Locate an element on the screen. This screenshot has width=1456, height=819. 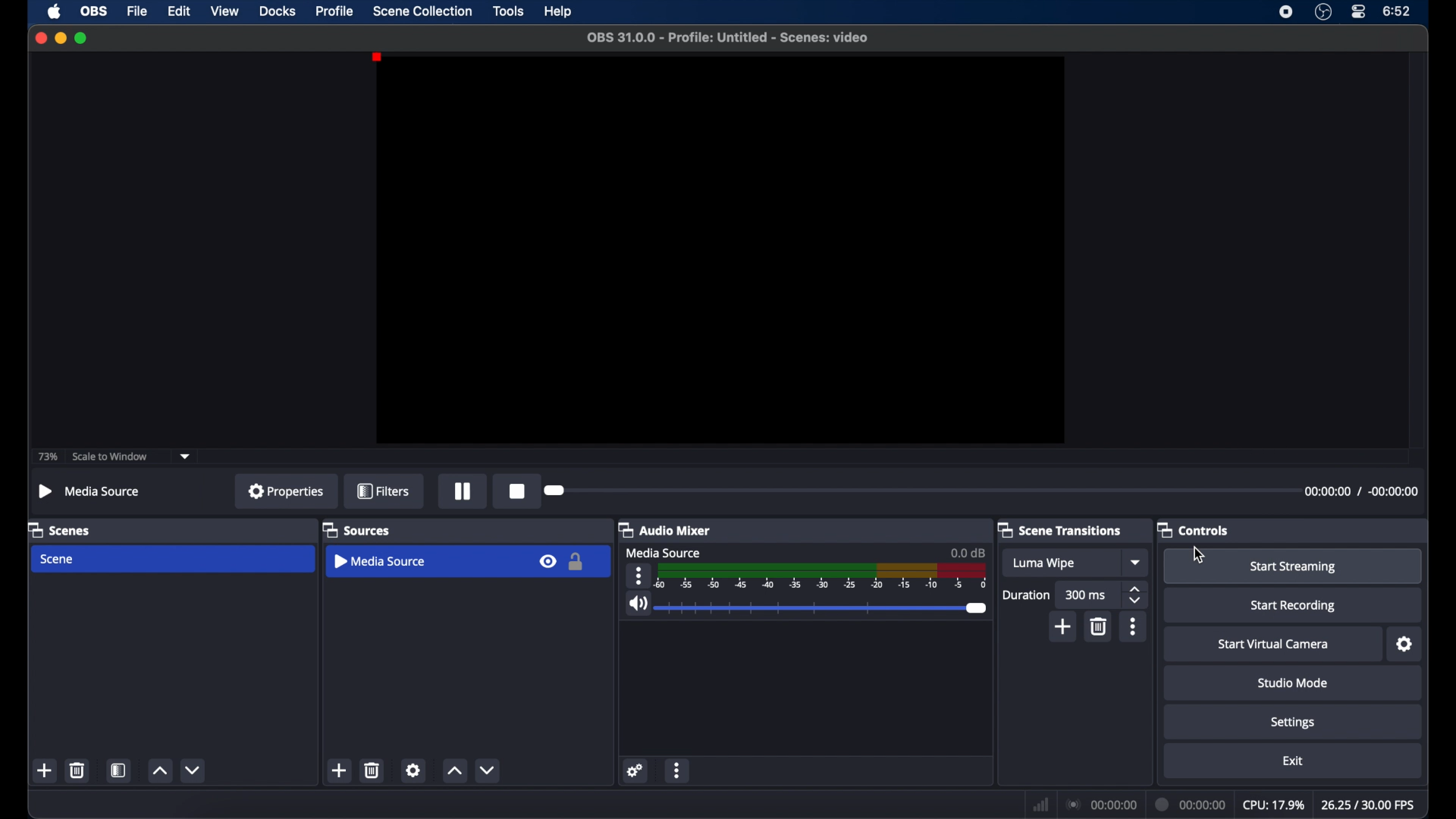
dropdown is located at coordinates (1137, 563).